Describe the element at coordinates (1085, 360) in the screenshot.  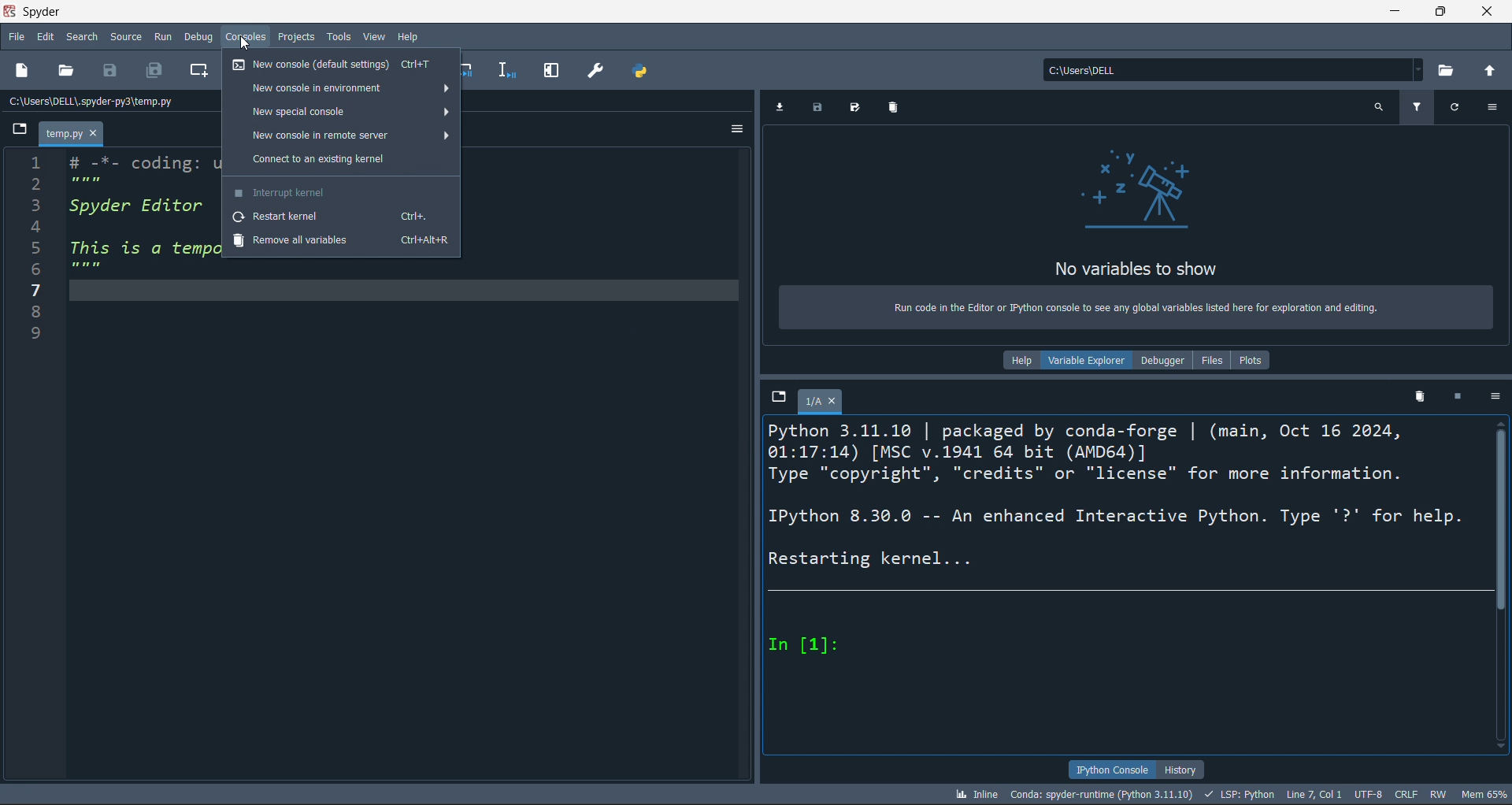
I see `variable explorer` at that location.